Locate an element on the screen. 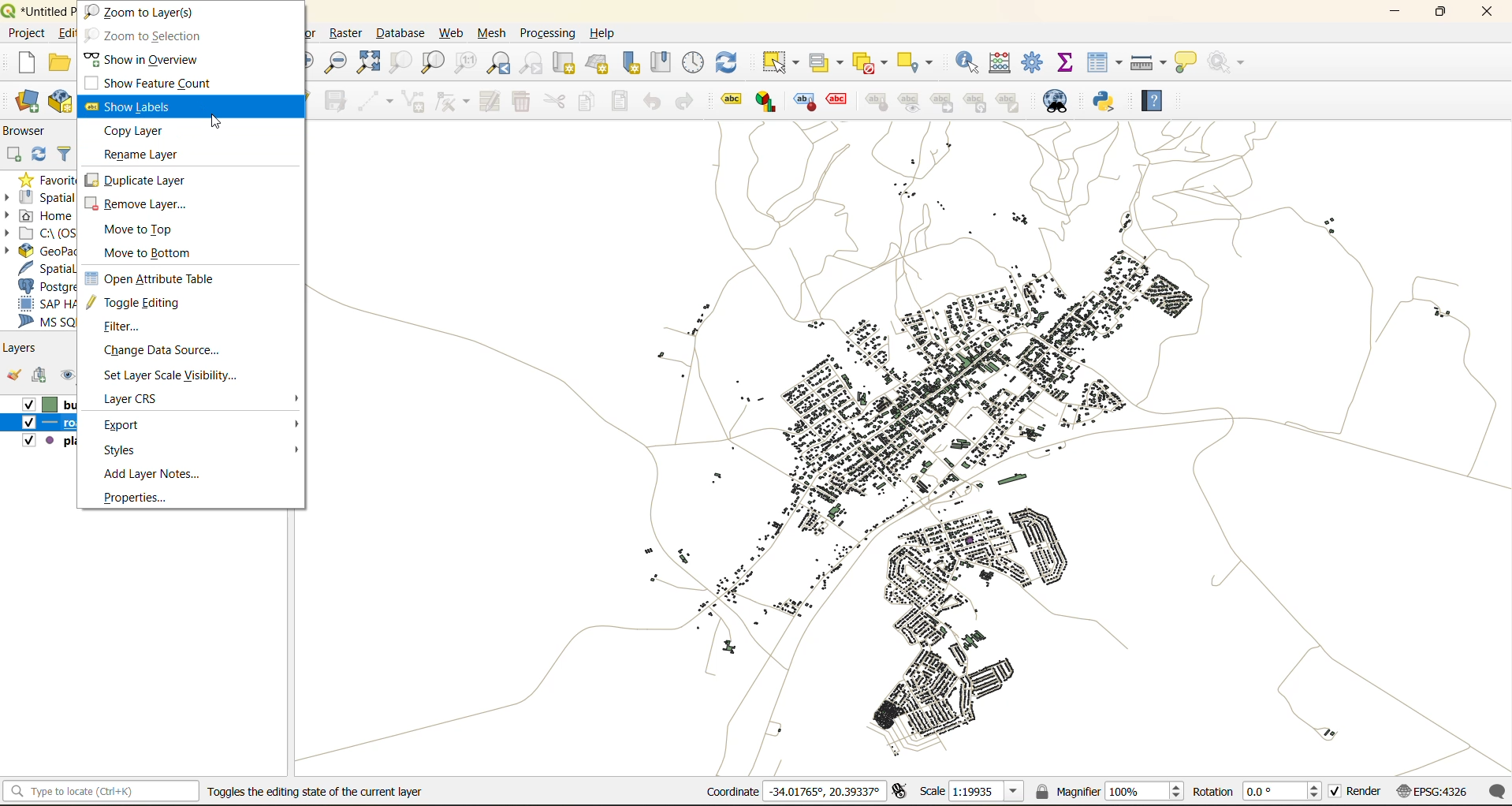 The width and height of the screenshot is (1512, 806). processing is located at coordinates (546, 33).